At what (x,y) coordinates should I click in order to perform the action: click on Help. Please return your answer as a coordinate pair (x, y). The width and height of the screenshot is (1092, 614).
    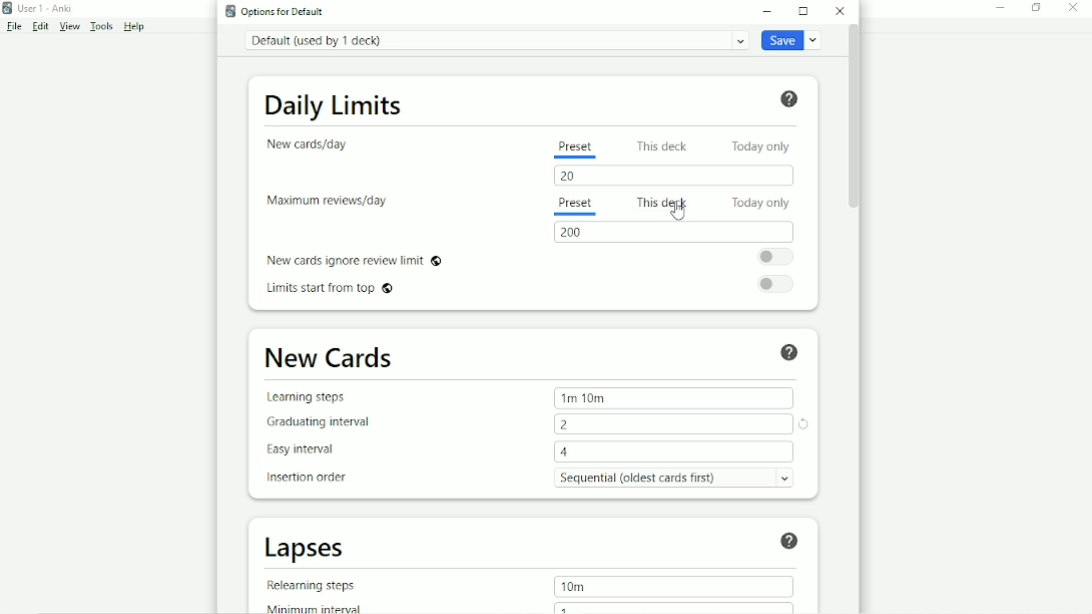
    Looking at the image, I should click on (136, 27).